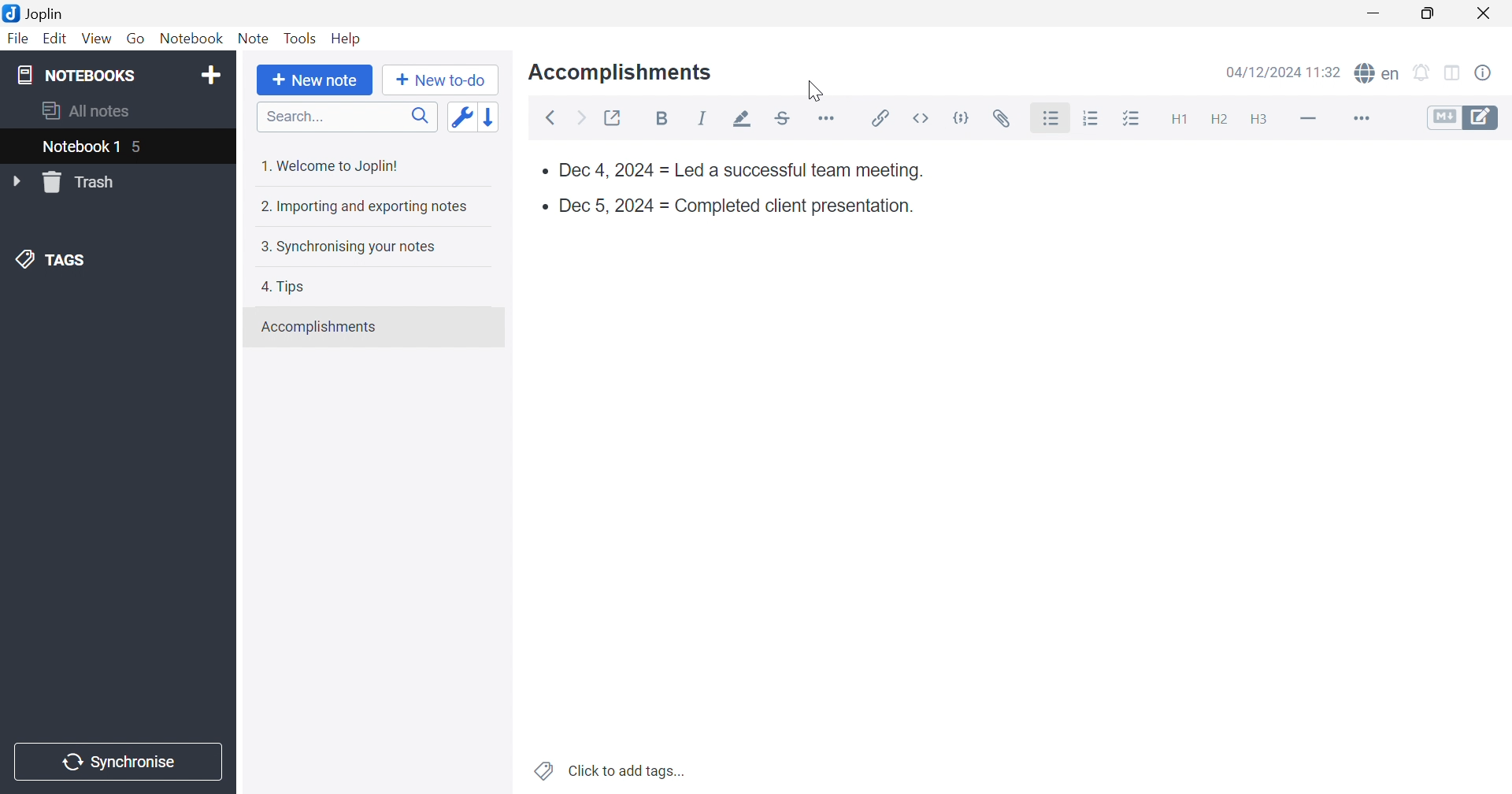 The image size is (1512, 794). I want to click on Accomplishments, so click(621, 72).